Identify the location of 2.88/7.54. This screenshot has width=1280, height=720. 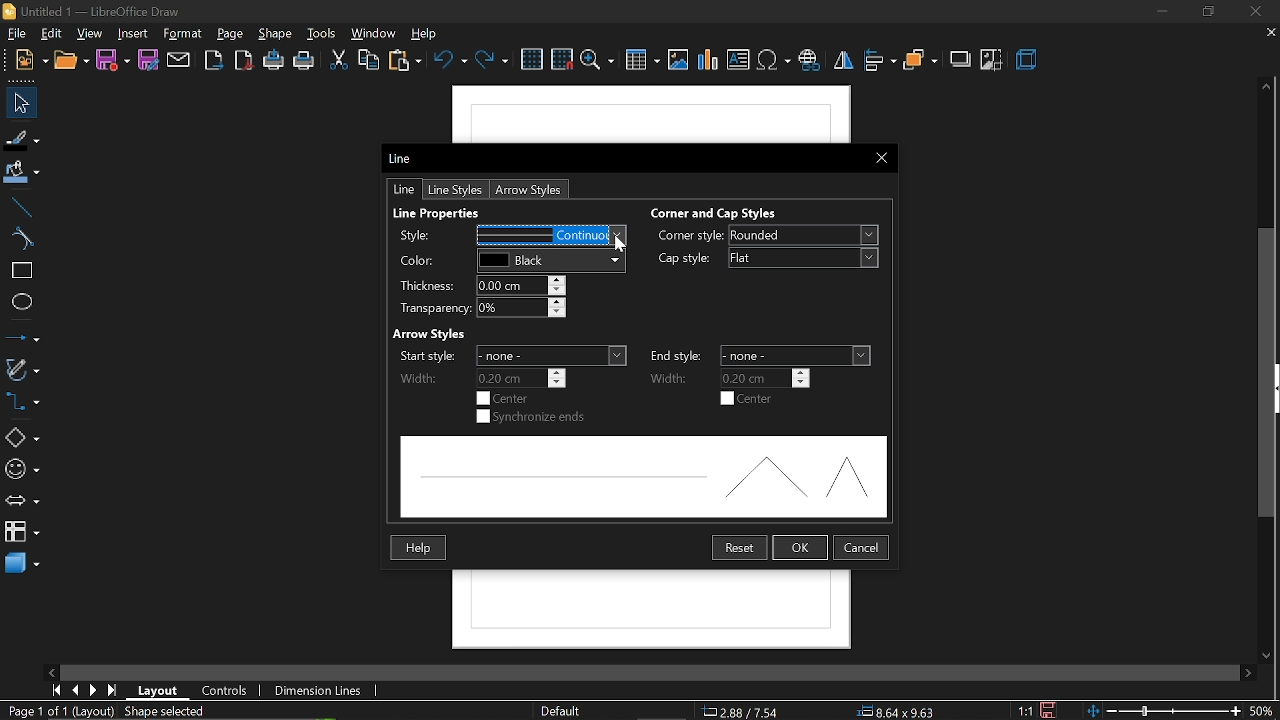
(742, 710).